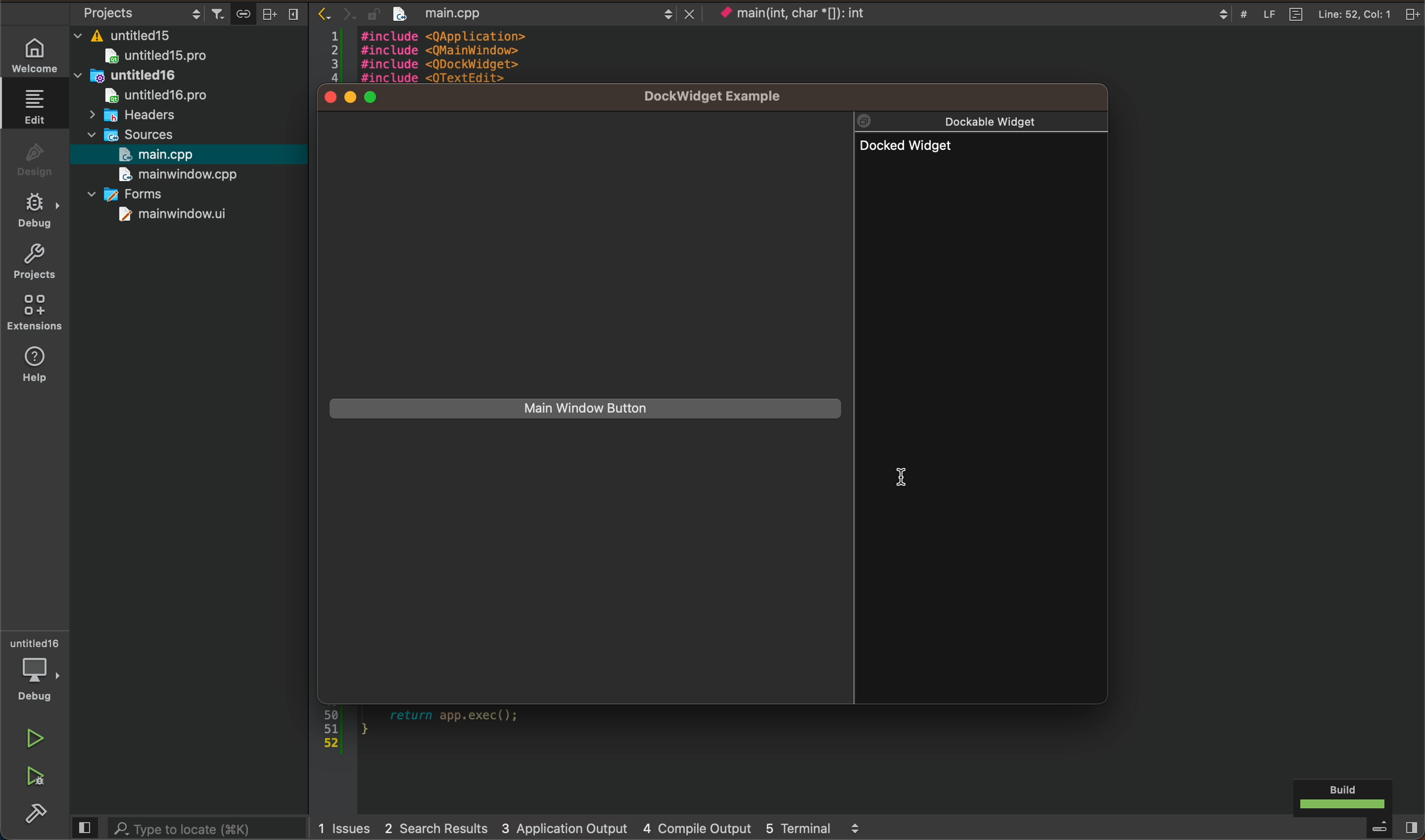  Describe the element at coordinates (38, 776) in the screenshot. I see `run and debug` at that location.